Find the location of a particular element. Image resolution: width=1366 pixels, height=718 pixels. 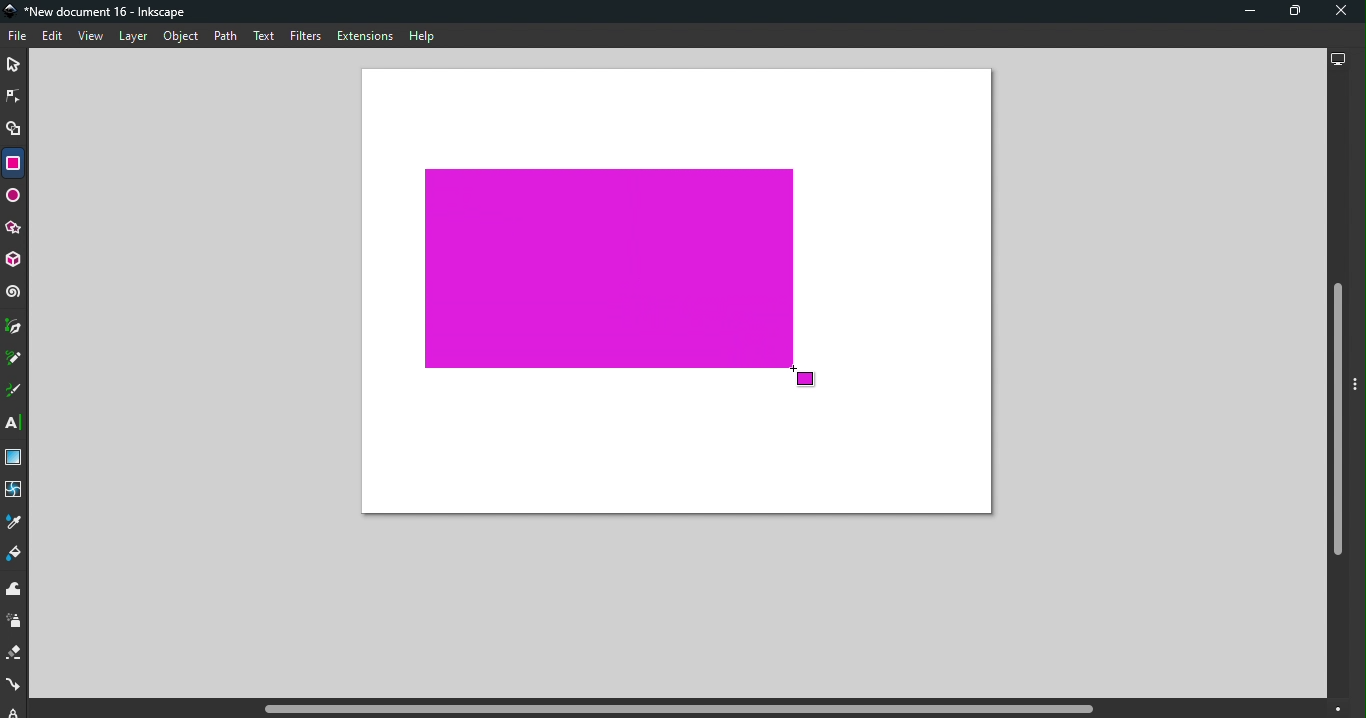

Toggle command panel is located at coordinates (1358, 386).